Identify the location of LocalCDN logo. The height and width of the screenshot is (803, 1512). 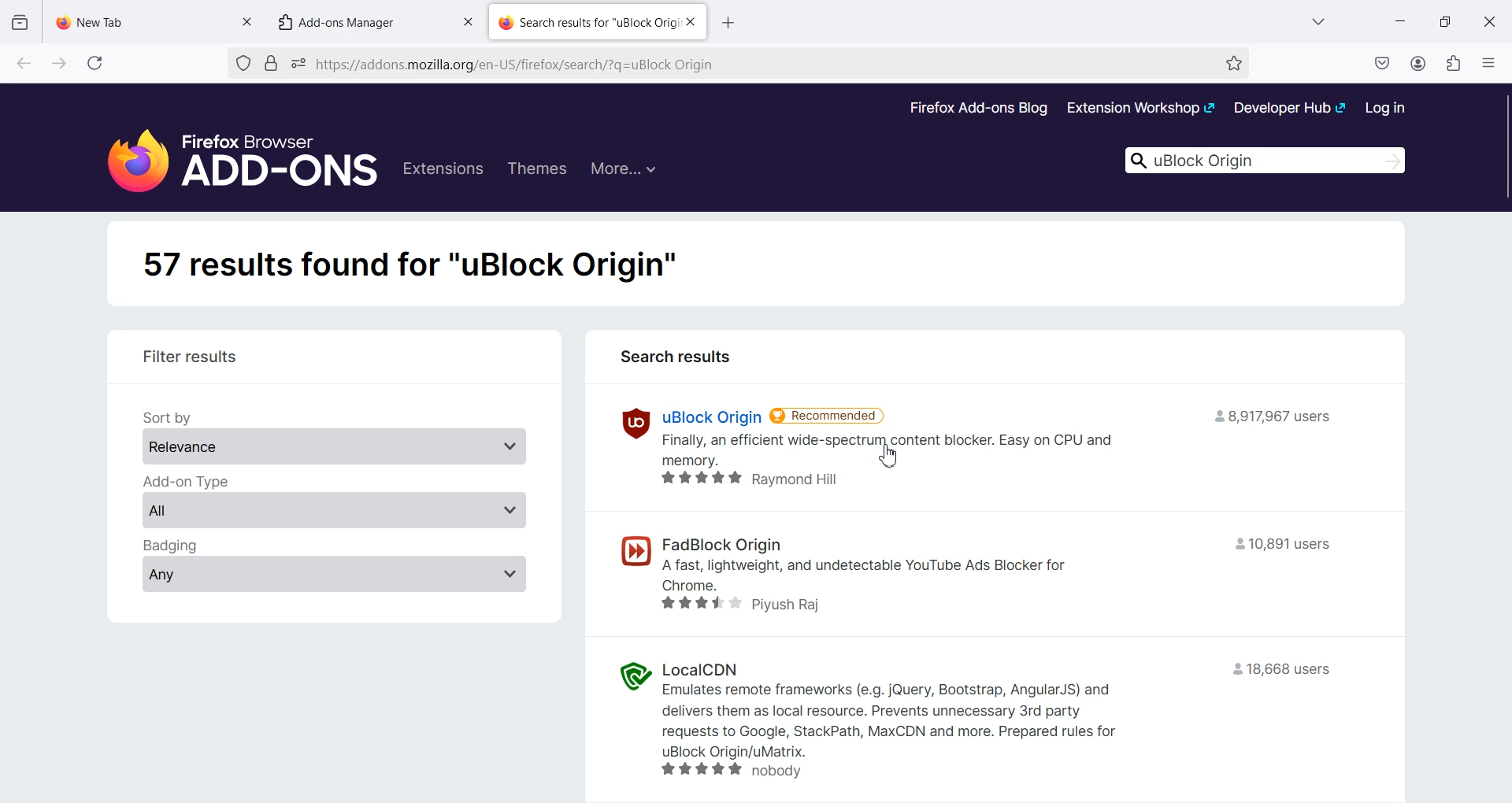
(632, 675).